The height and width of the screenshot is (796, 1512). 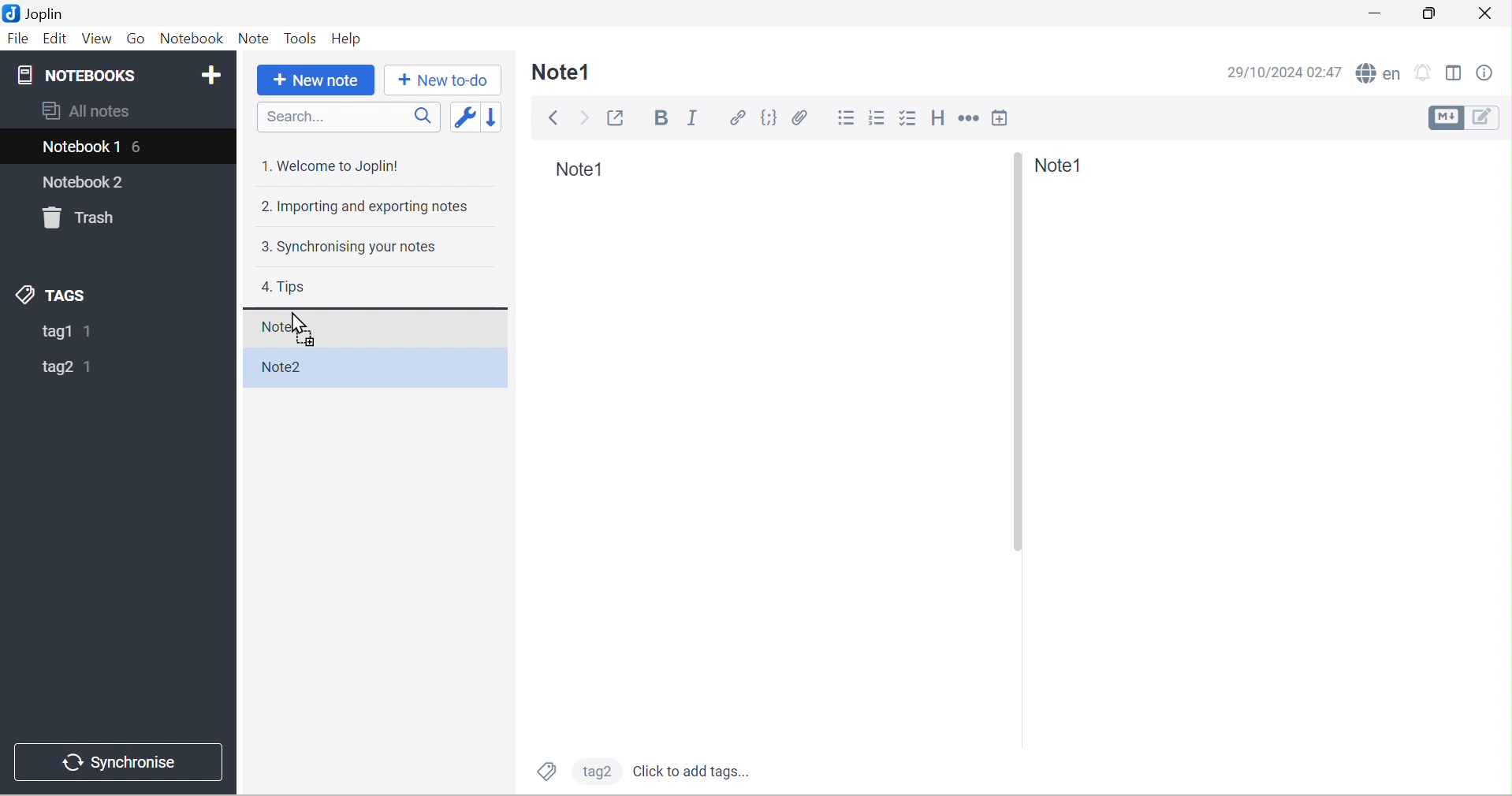 What do you see at coordinates (286, 288) in the screenshot?
I see `Tips` at bounding box center [286, 288].